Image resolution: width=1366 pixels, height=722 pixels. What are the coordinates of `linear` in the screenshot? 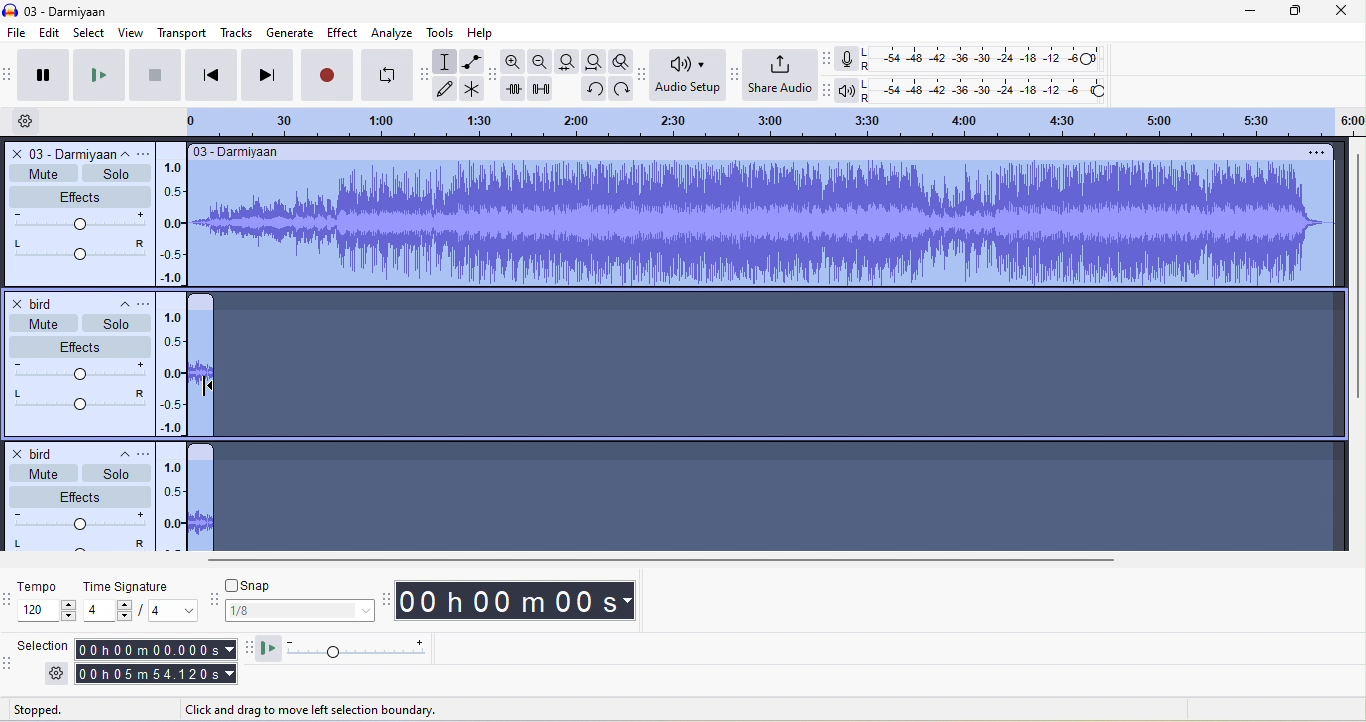 It's located at (172, 506).